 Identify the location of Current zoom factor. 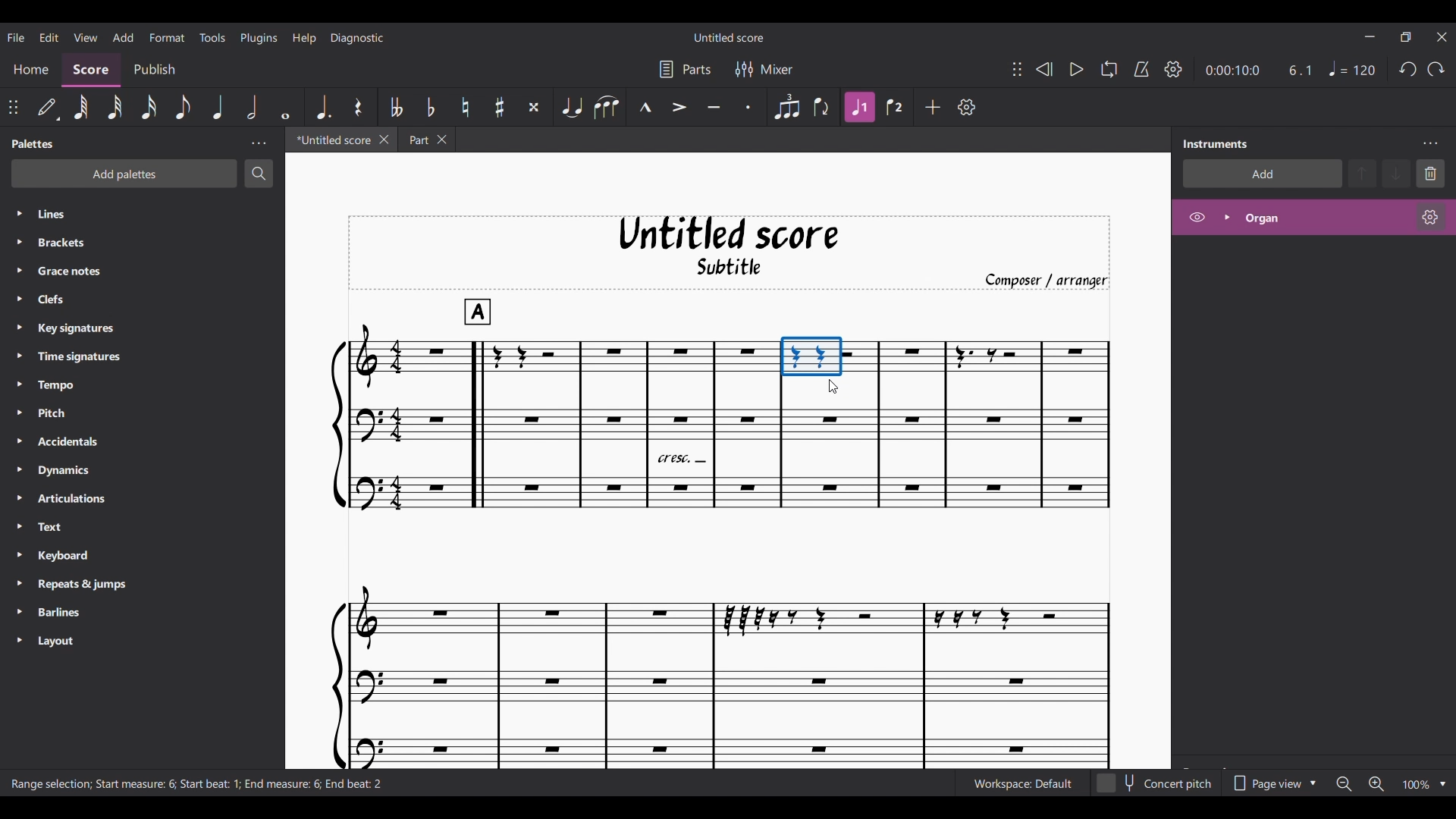
(1417, 785).